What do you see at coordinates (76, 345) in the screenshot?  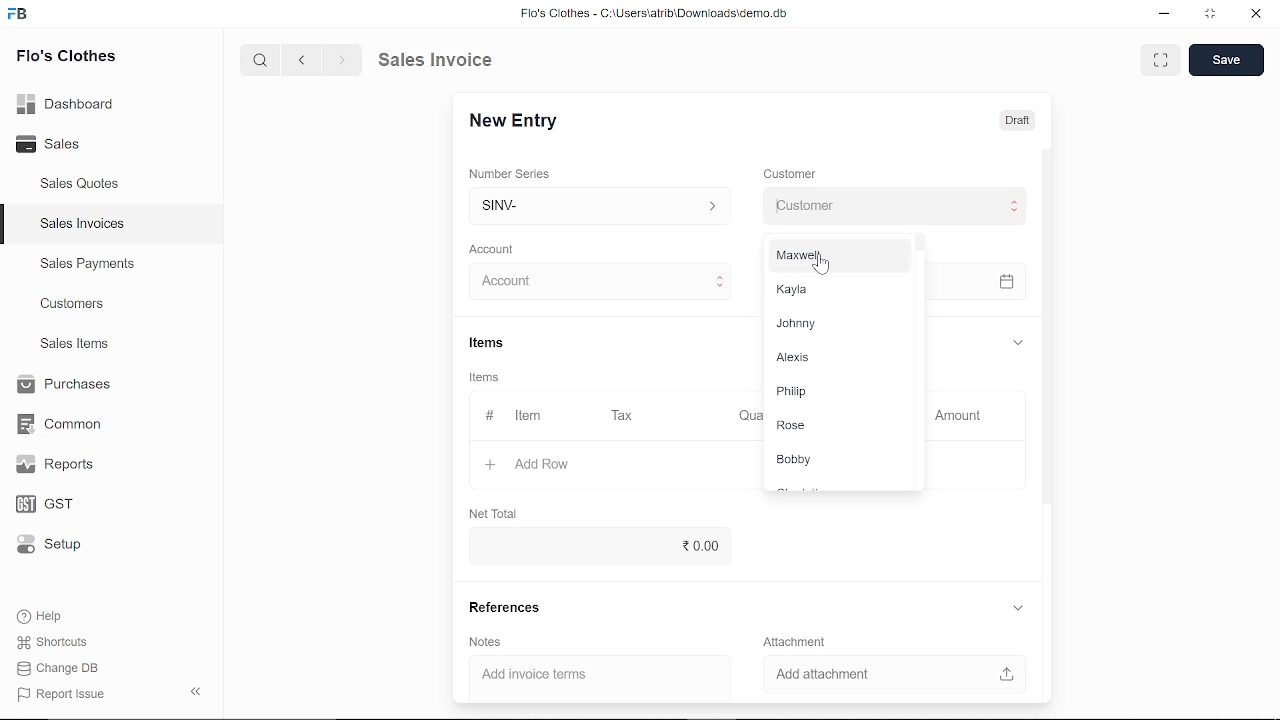 I see `Sales Items.` at bounding box center [76, 345].